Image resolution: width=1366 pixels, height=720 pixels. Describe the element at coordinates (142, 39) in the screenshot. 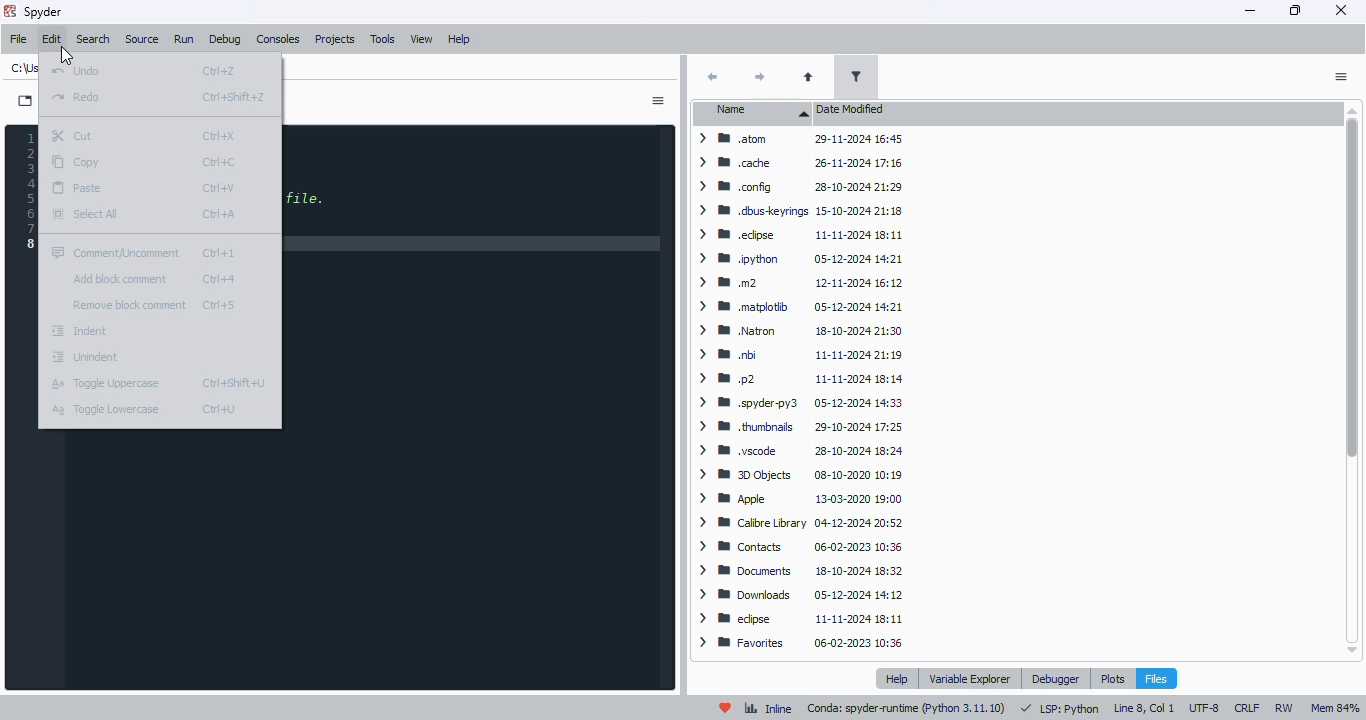

I see `source` at that location.